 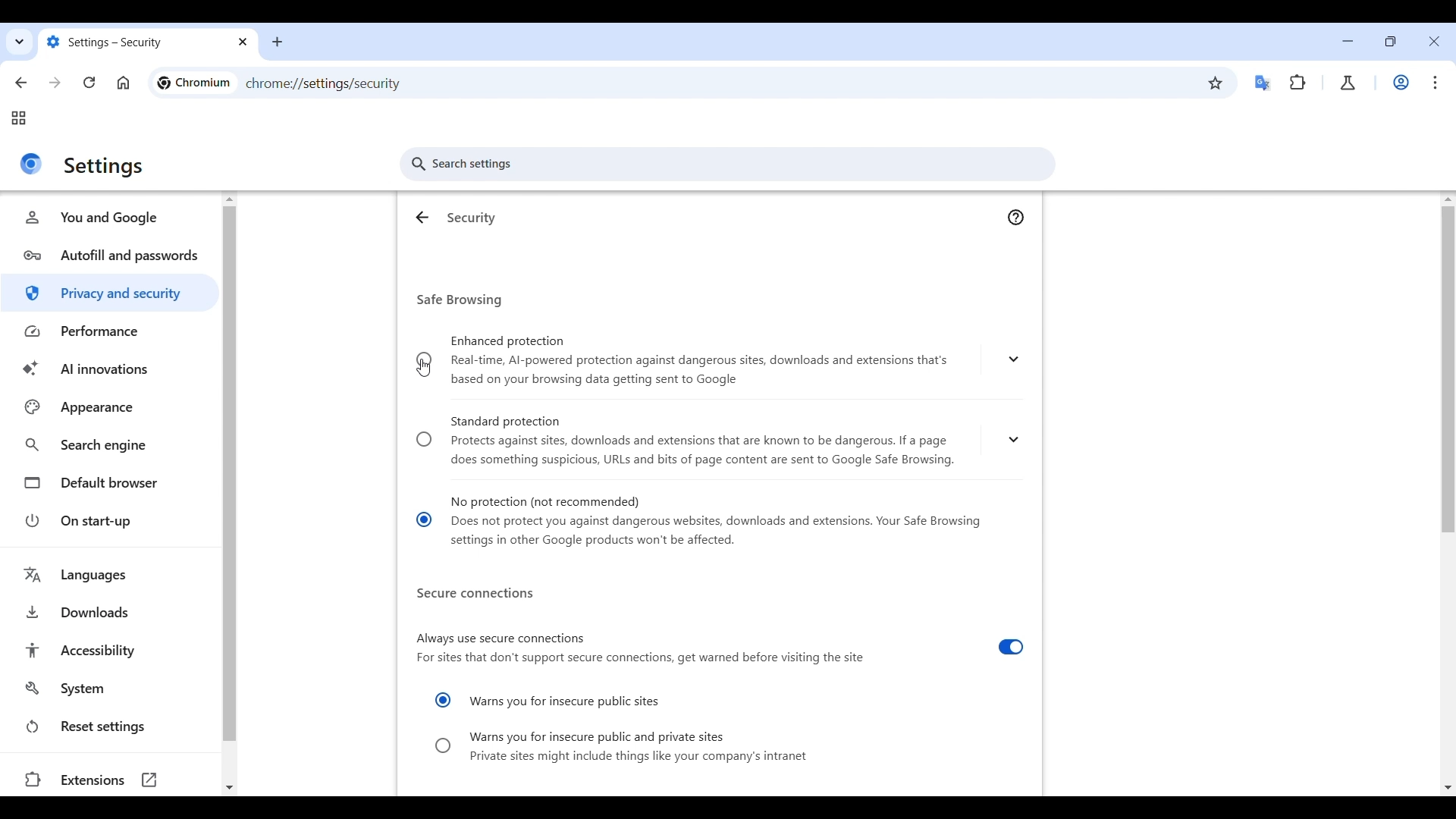 I want to click on Vertical slide bar, so click(x=1448, y=369).